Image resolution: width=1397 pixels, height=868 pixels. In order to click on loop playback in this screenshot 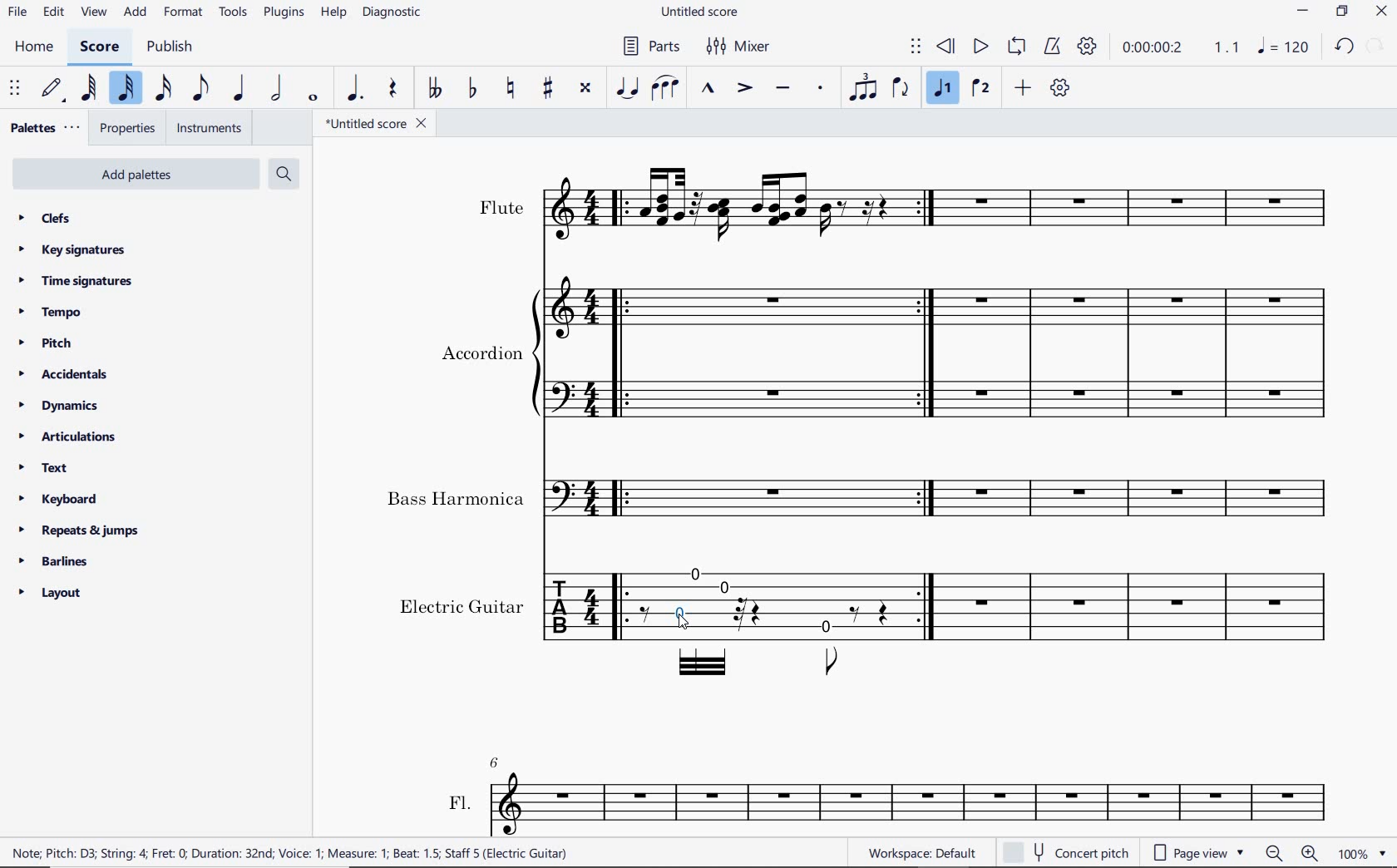, I will do `click(1016, 47)`.